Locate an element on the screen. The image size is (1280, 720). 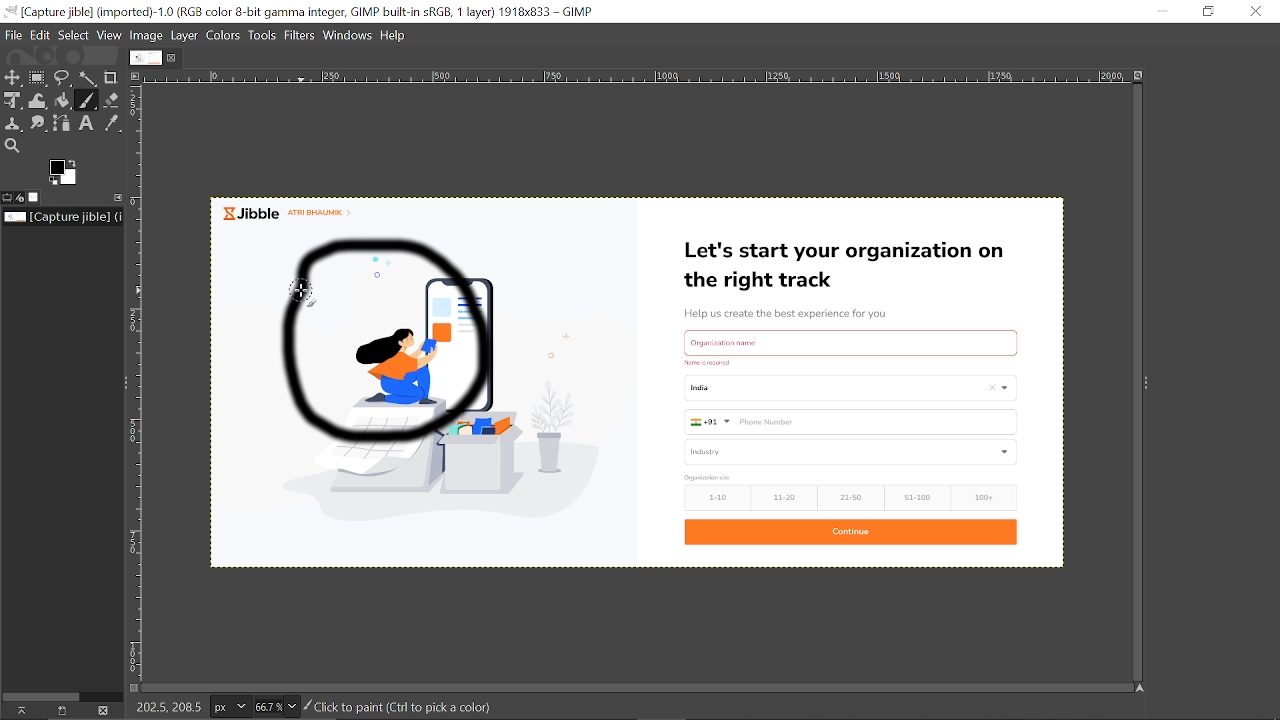
Raise this images displays is located at coordinates (19, 710).